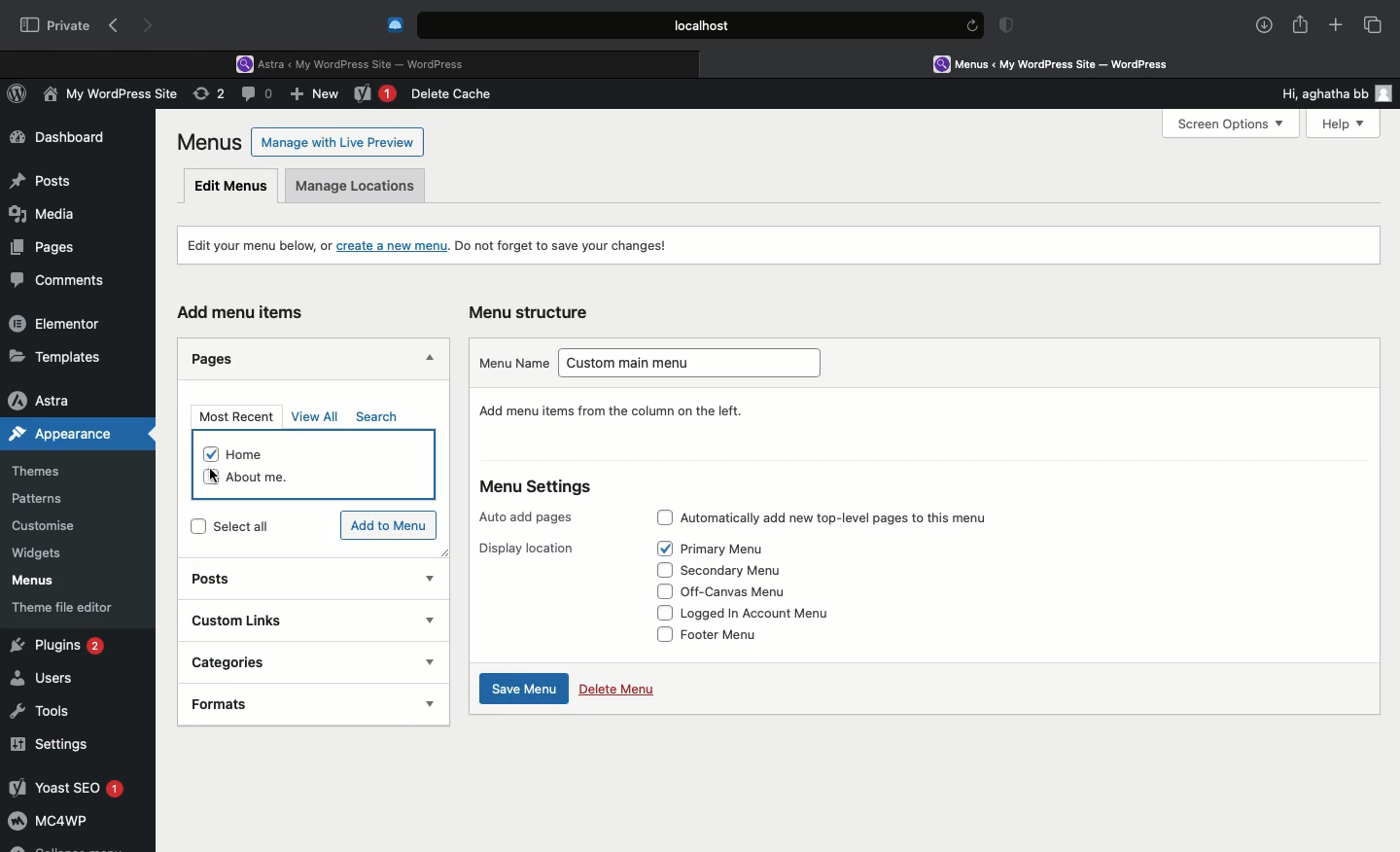  I want to click on cursor, so click(218, 477).